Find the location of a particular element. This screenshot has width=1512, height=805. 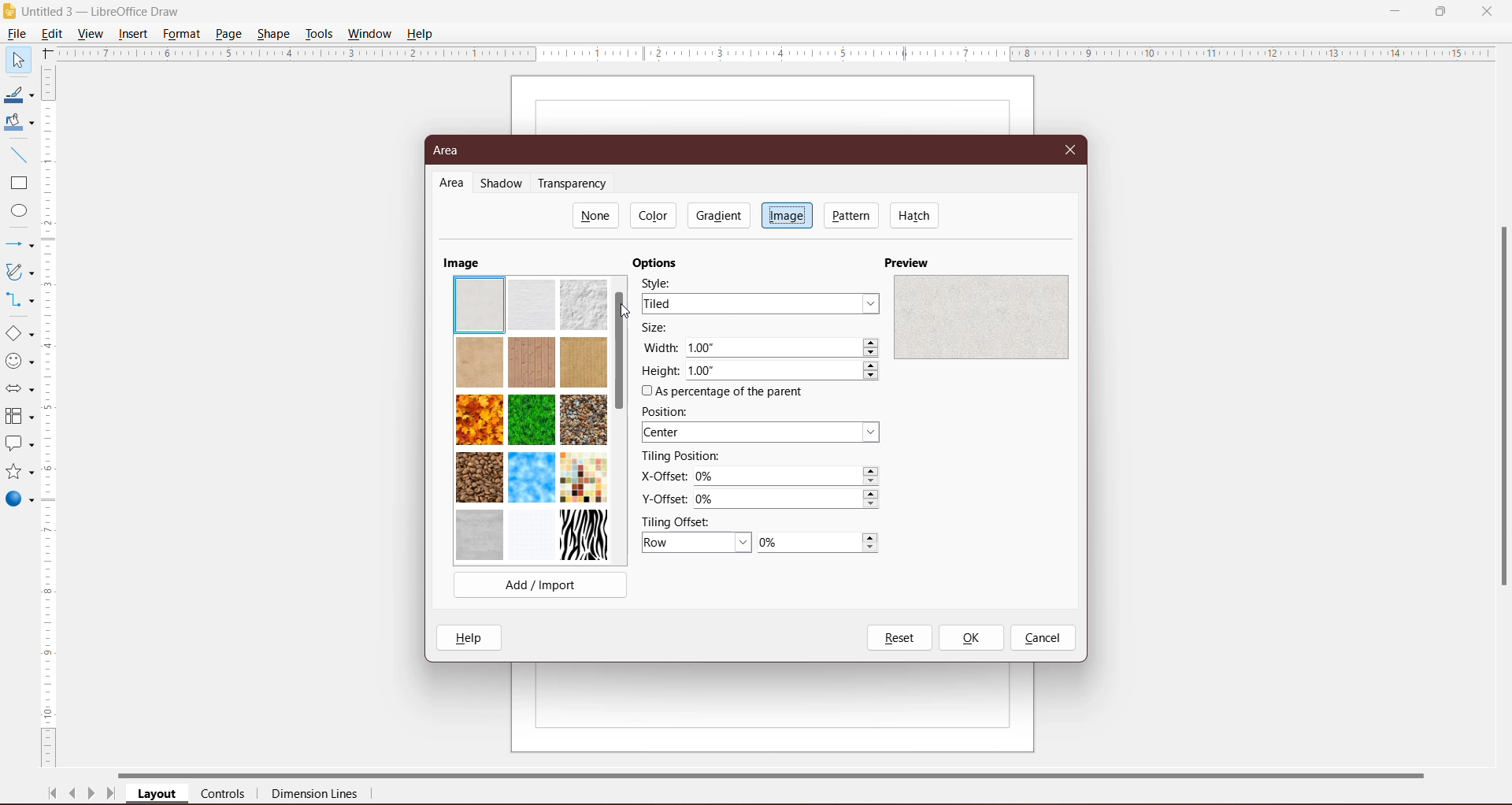

Basic Shapes is located at coordinates (19, 334).